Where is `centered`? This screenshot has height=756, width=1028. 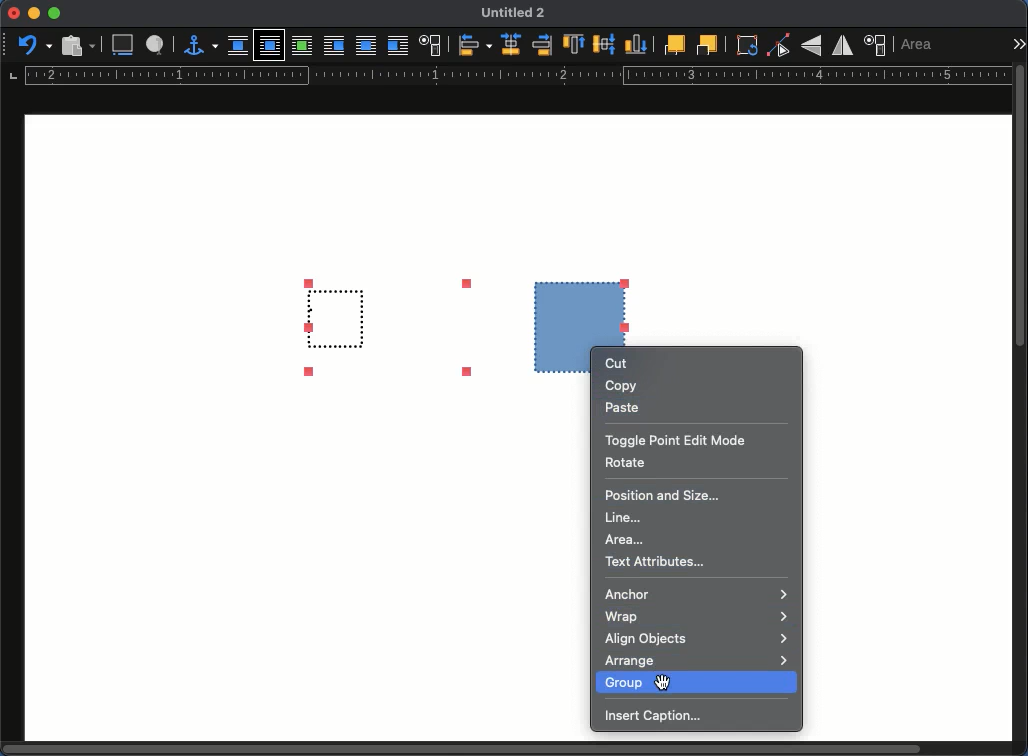 centered is located at coordinates (513, 44).